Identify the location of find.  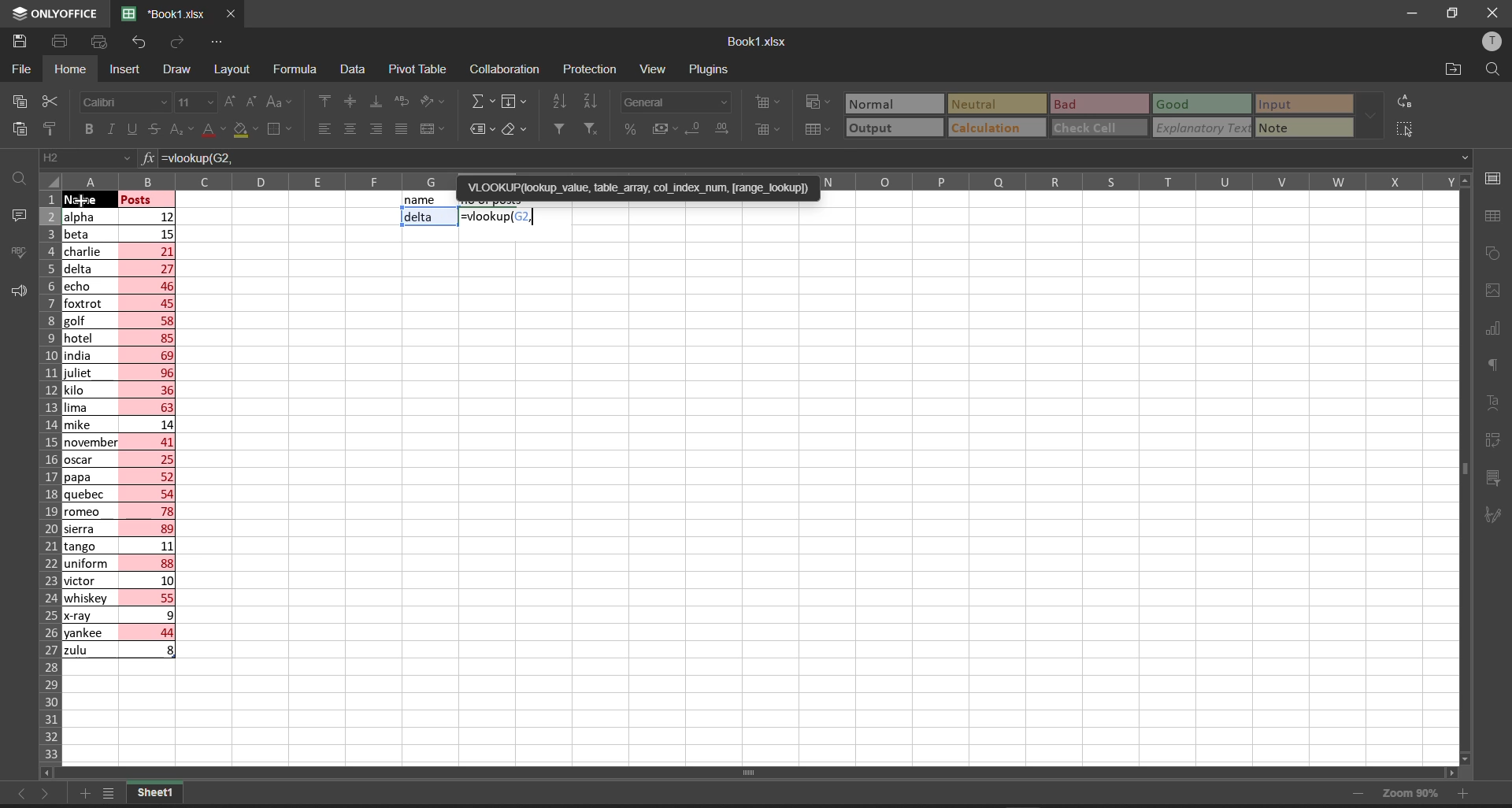
(17, 176).